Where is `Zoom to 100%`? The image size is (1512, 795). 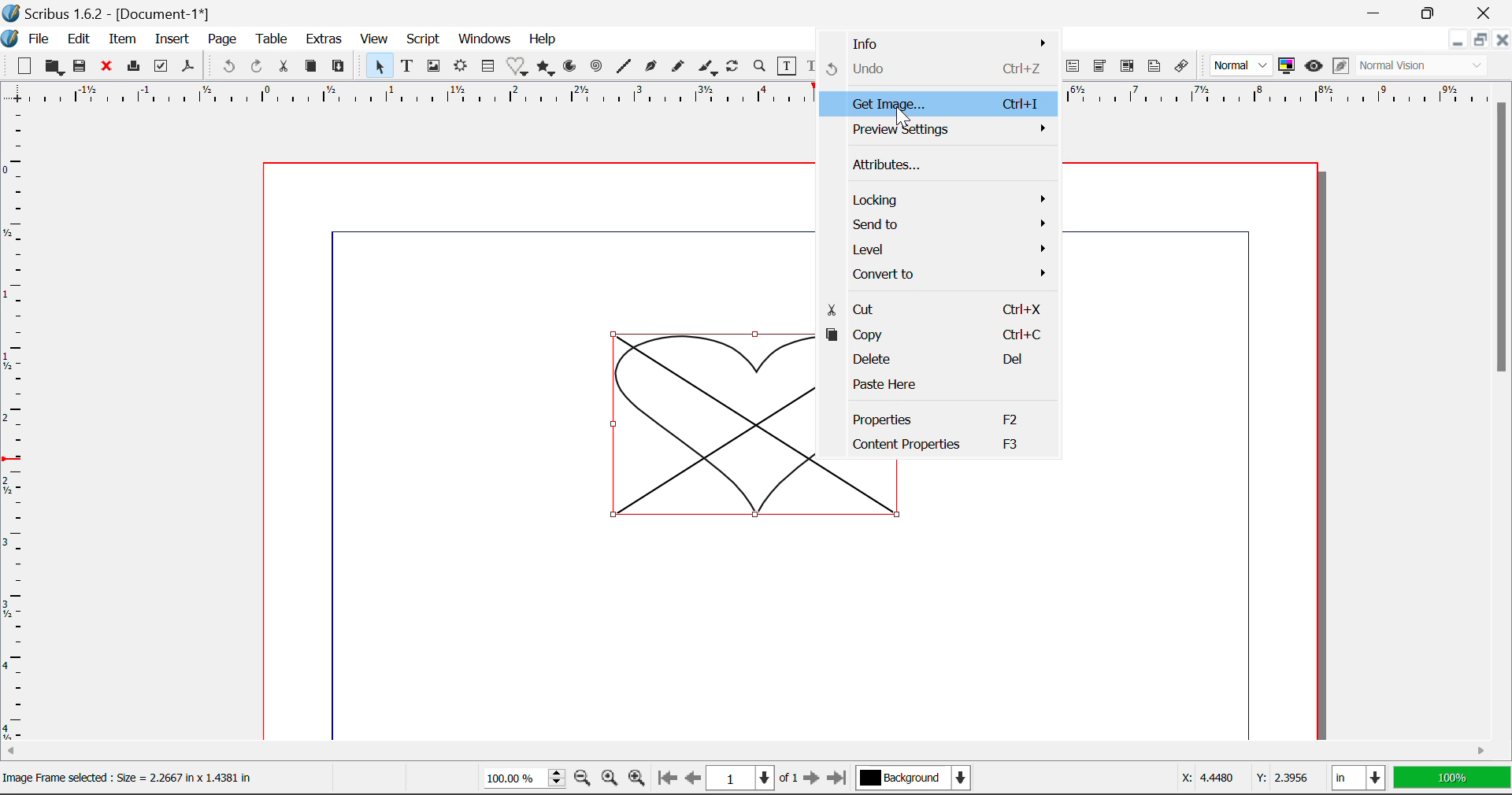 Zoom to 100% is located at coordinates (608, 780).